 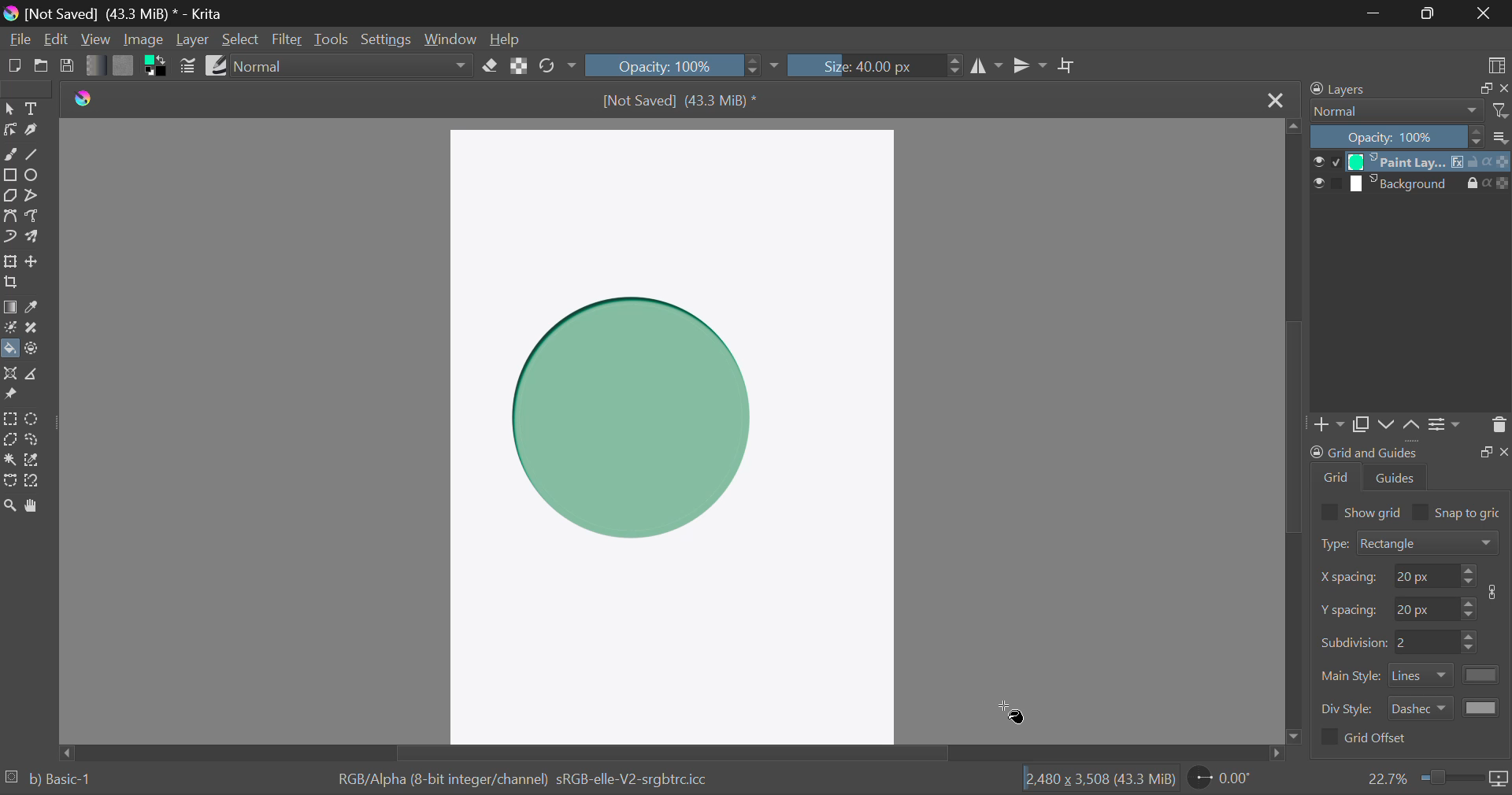 What do you see at coordinates (193, 41) in the screenshot?
I see `Layer` at bounding box center [193, 41].